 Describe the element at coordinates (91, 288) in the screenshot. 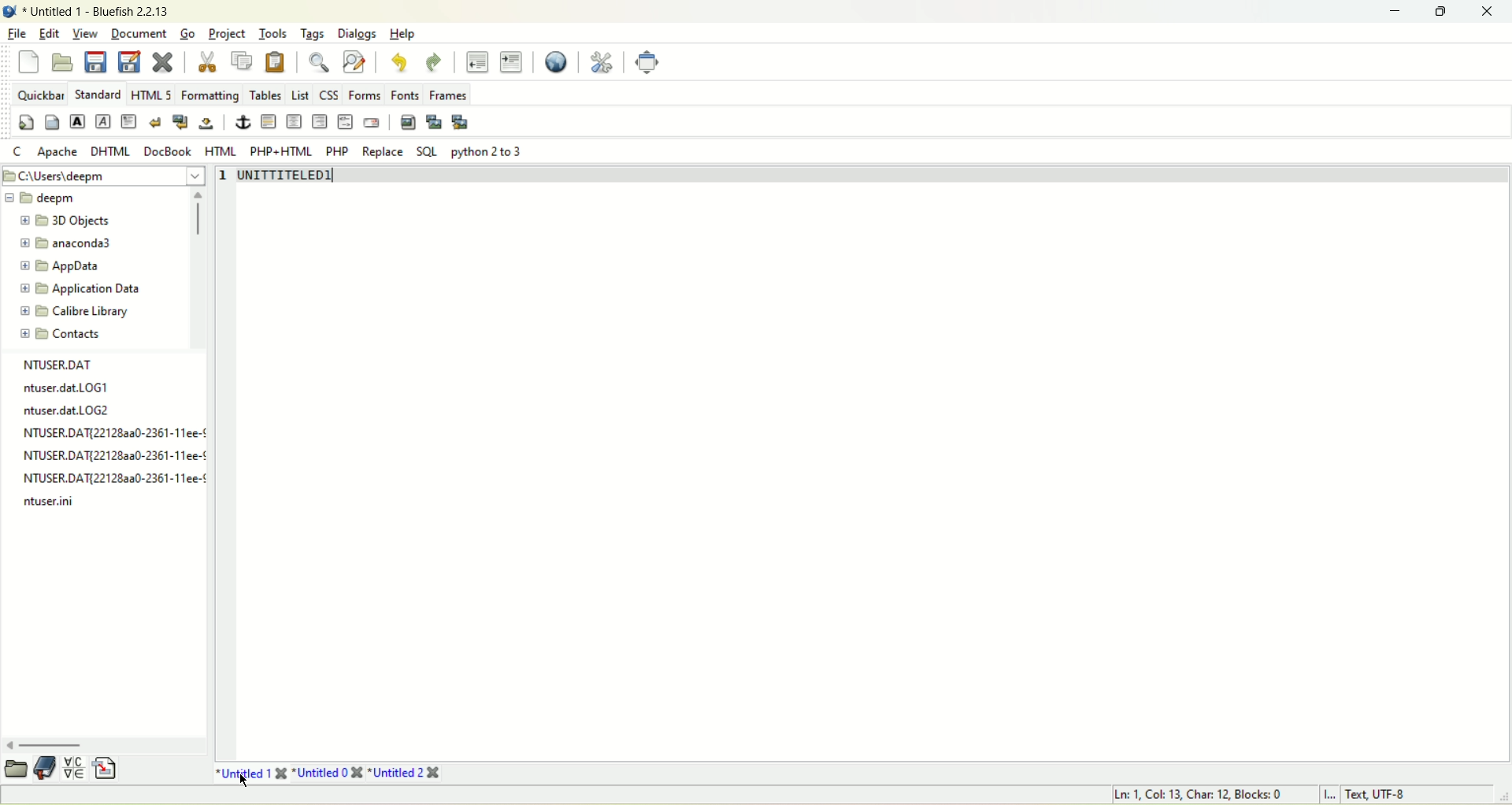

I see `application data` at that location.